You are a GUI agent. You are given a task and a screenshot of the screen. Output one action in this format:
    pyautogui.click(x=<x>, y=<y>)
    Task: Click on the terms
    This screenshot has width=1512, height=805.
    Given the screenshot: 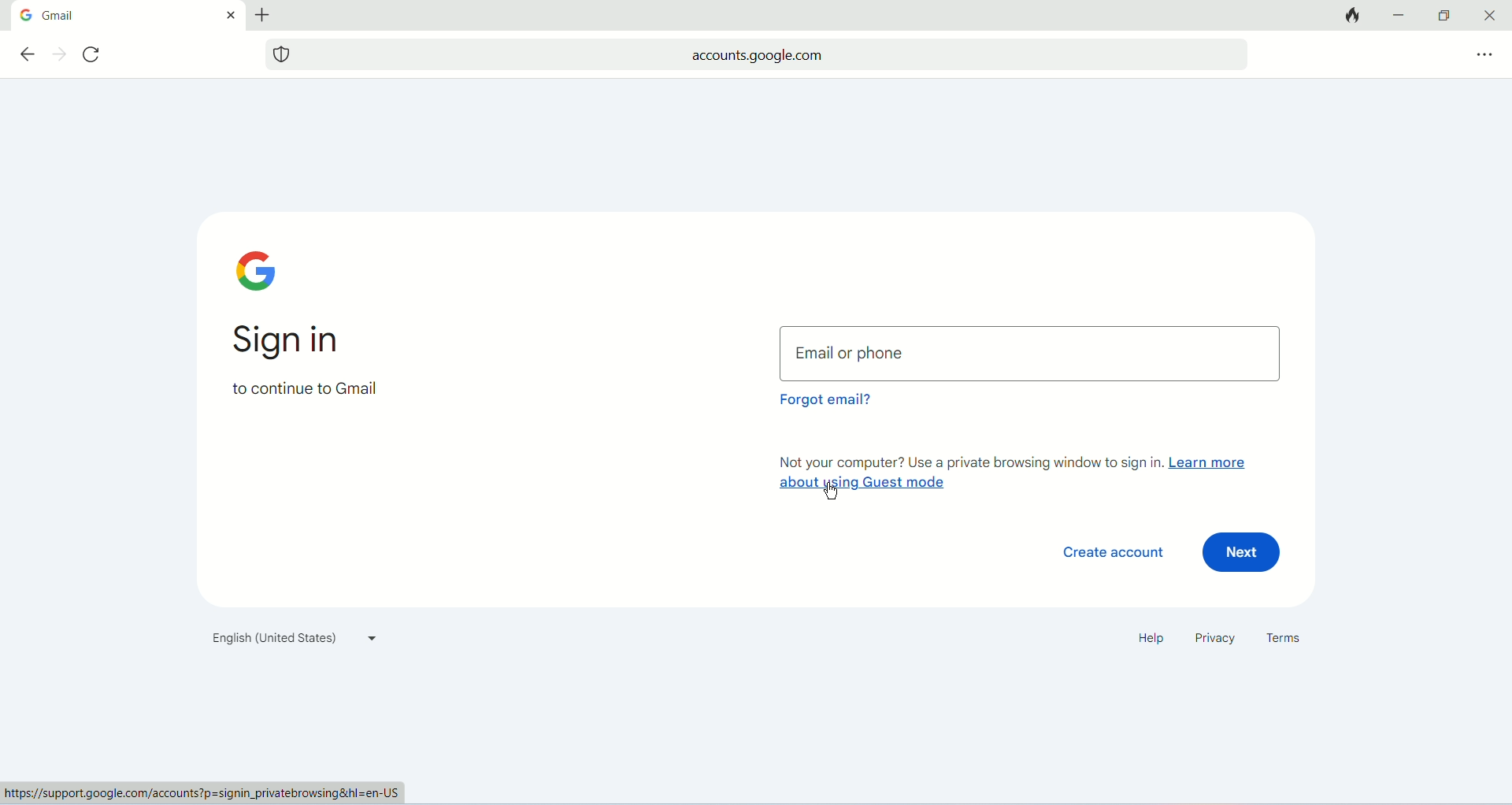 What is the action you would take?
    pyautogui.click(x=1288, y=639)
    